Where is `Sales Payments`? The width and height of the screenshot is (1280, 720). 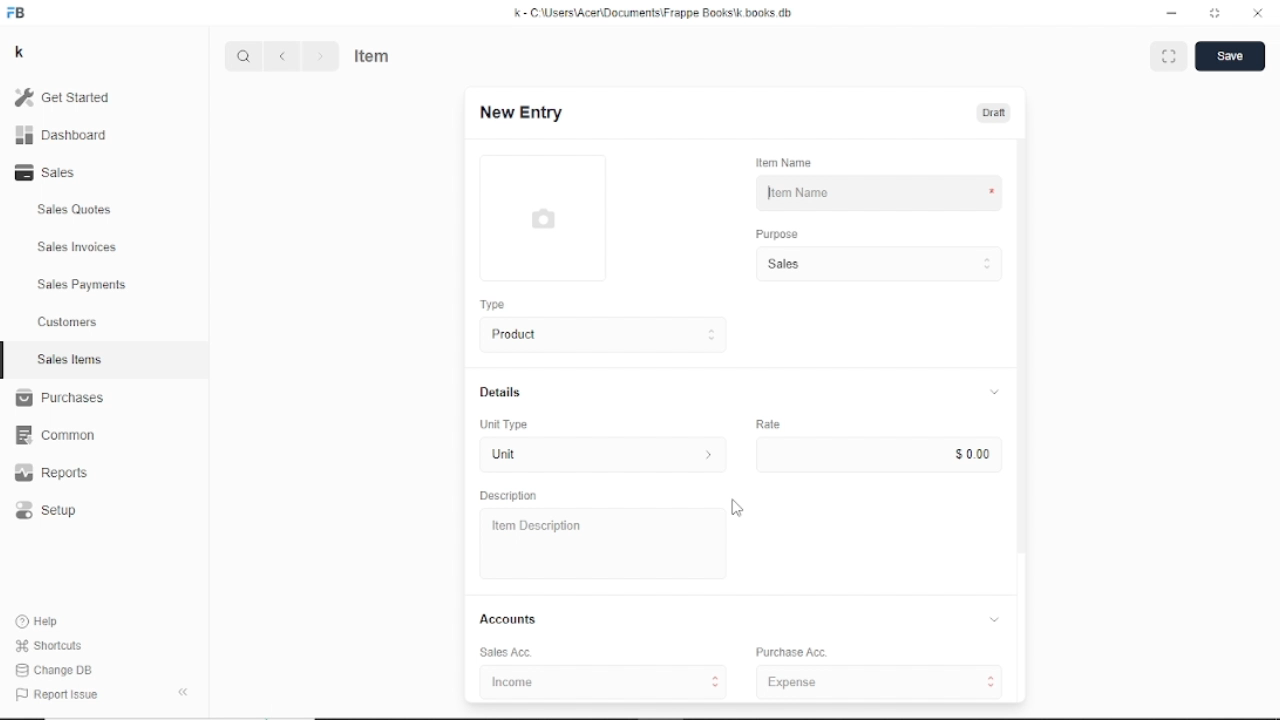 Sales Payments is located at coordinates (83, 284).